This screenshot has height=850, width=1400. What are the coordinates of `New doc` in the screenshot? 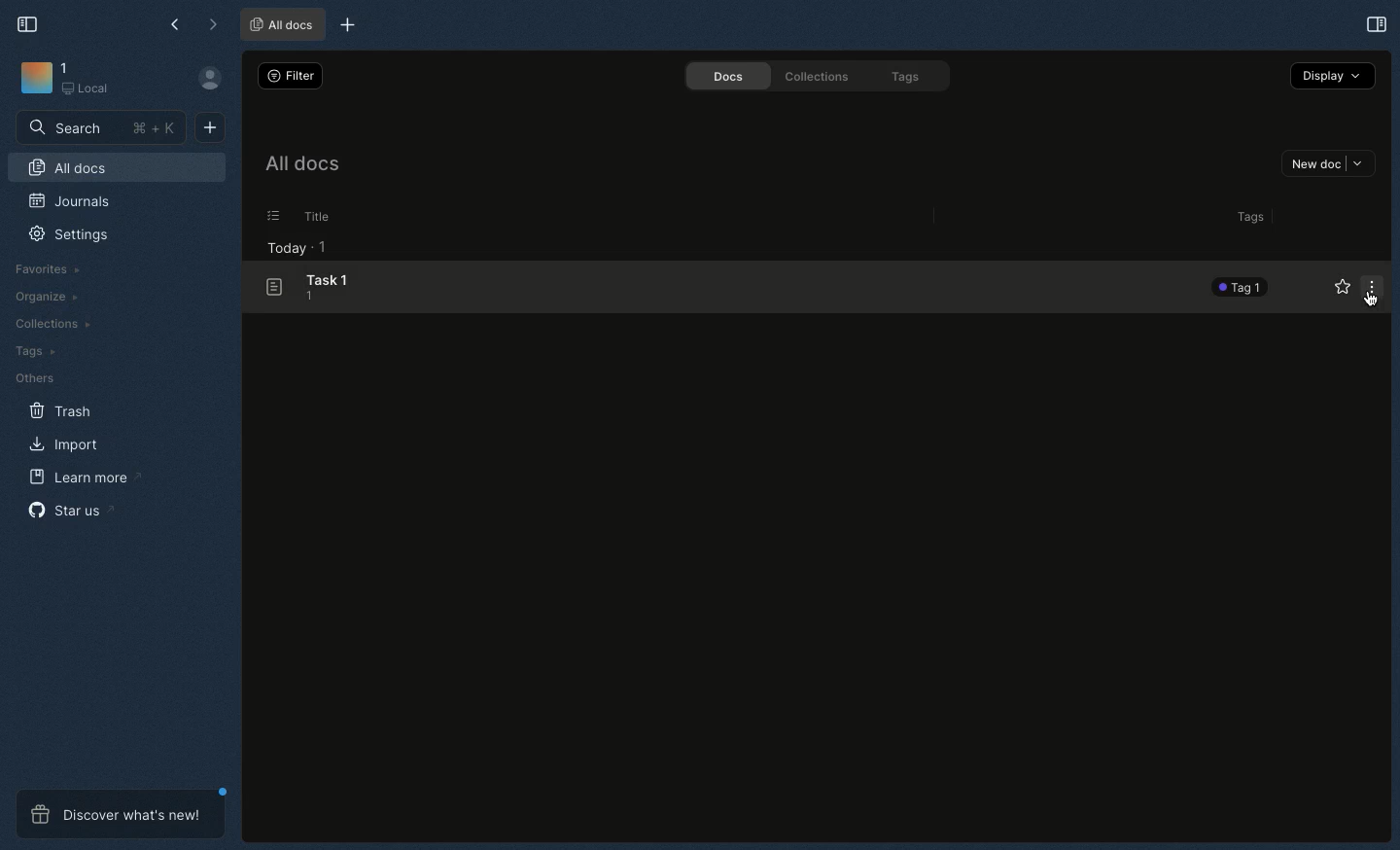 It's located at (217, 126).